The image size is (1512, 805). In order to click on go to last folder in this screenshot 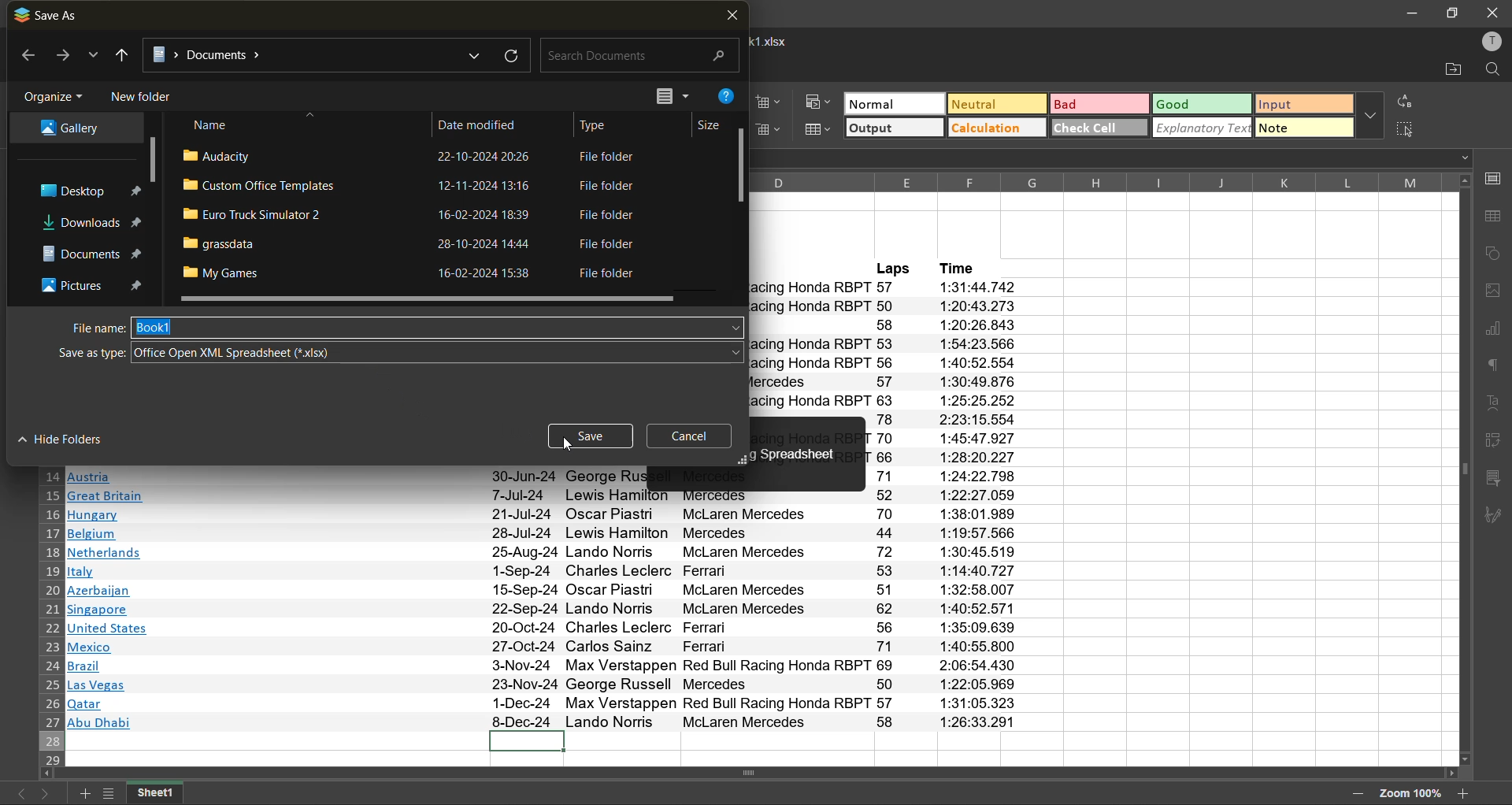, I will do `click(124, 57)`.